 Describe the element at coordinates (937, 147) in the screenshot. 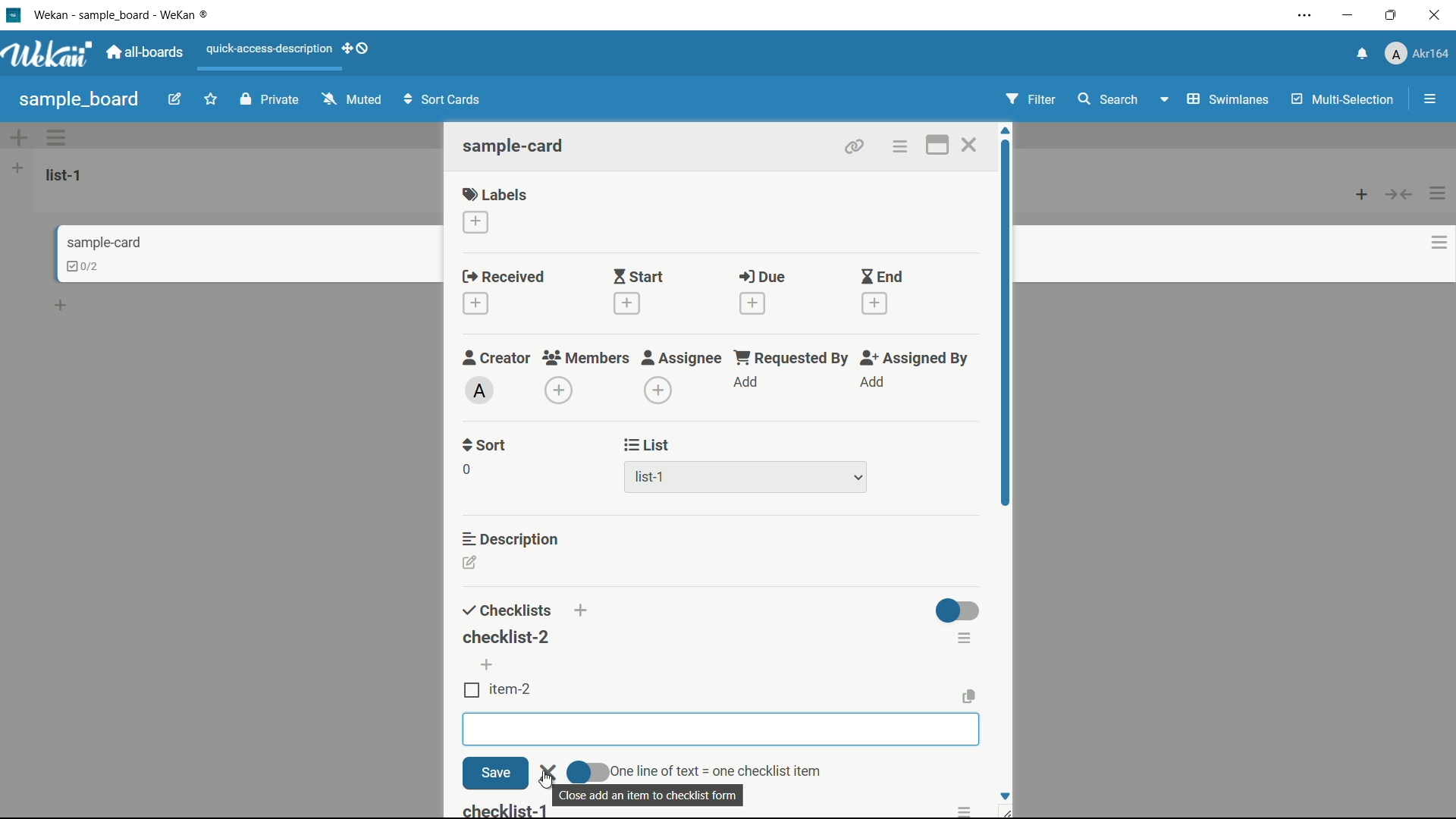

I see `maximize card` at that location.